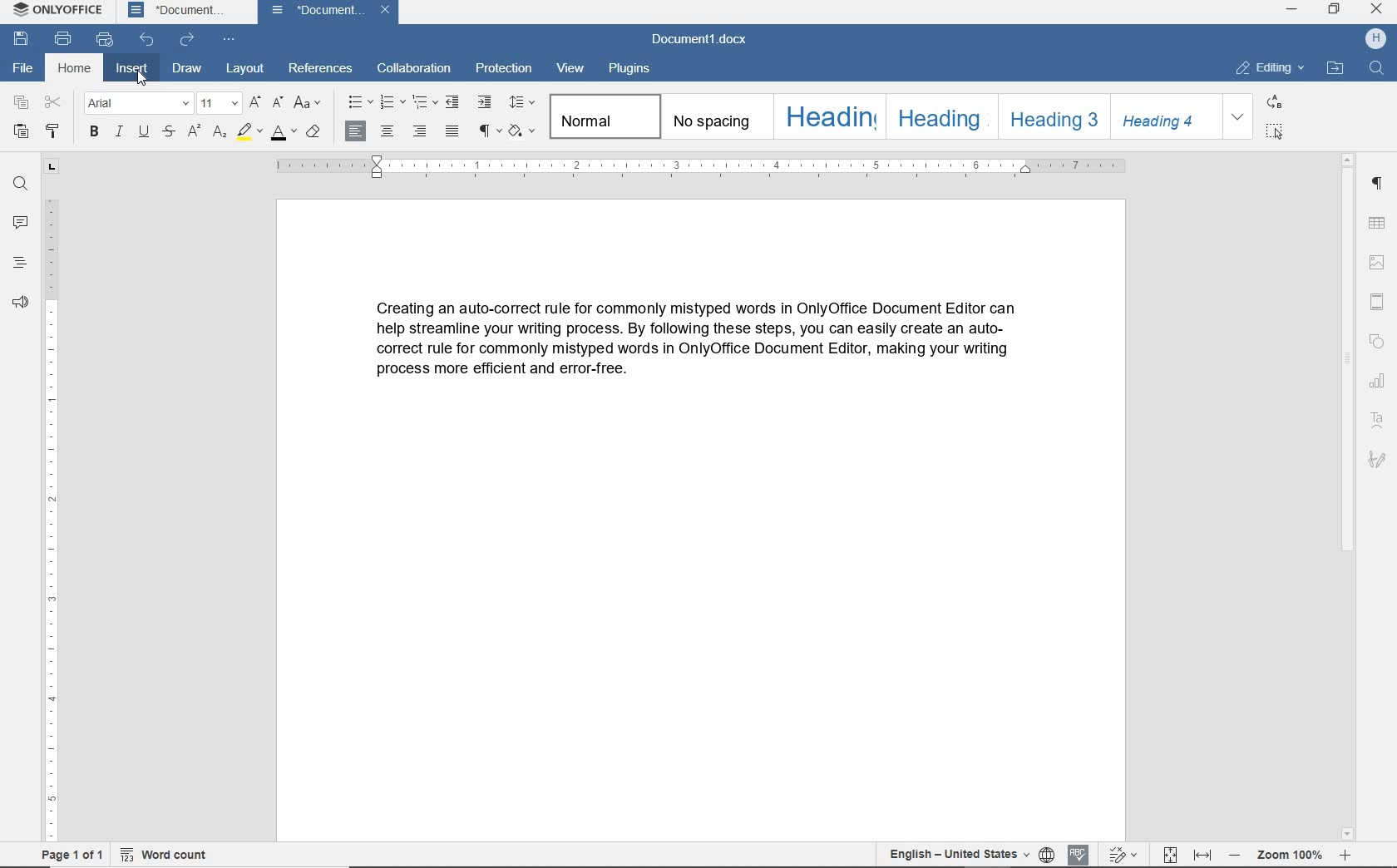 The height and width of the screenshot is (868, 1397). I want to click on save, so click(22, 39).